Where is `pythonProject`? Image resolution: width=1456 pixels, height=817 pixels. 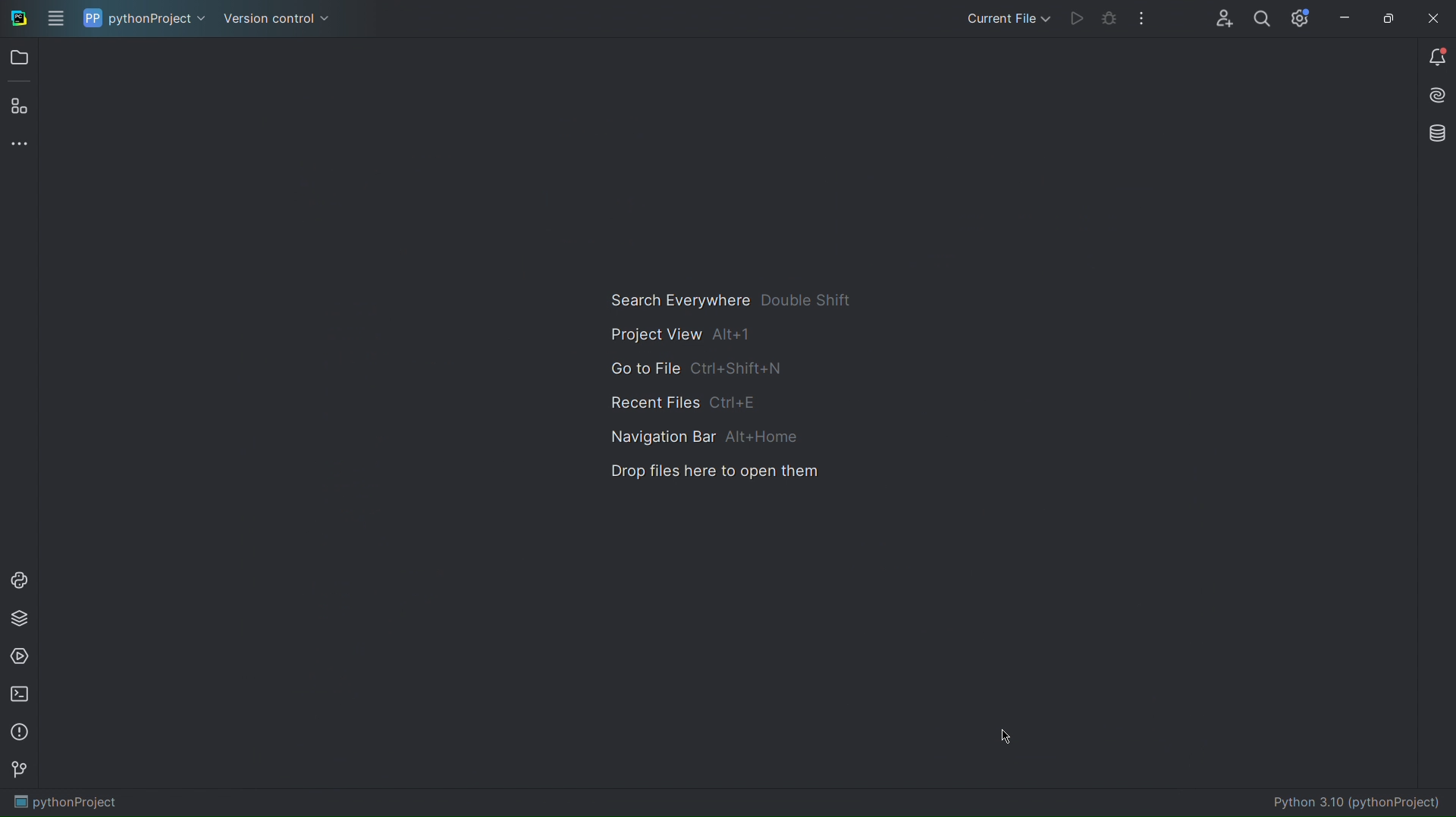 pythonProject is located at coordinates (66, 803).